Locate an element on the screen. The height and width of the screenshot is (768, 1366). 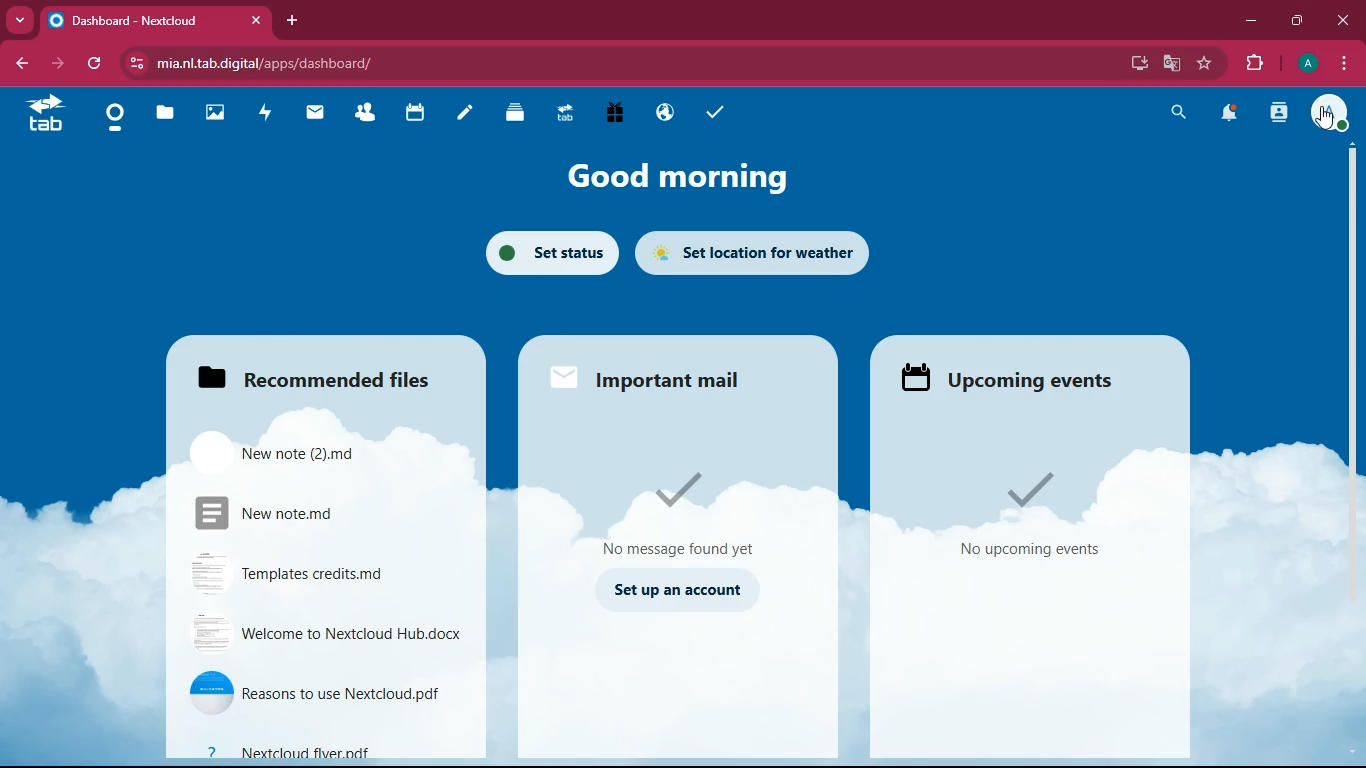
file is located at coordinates (289, 449).